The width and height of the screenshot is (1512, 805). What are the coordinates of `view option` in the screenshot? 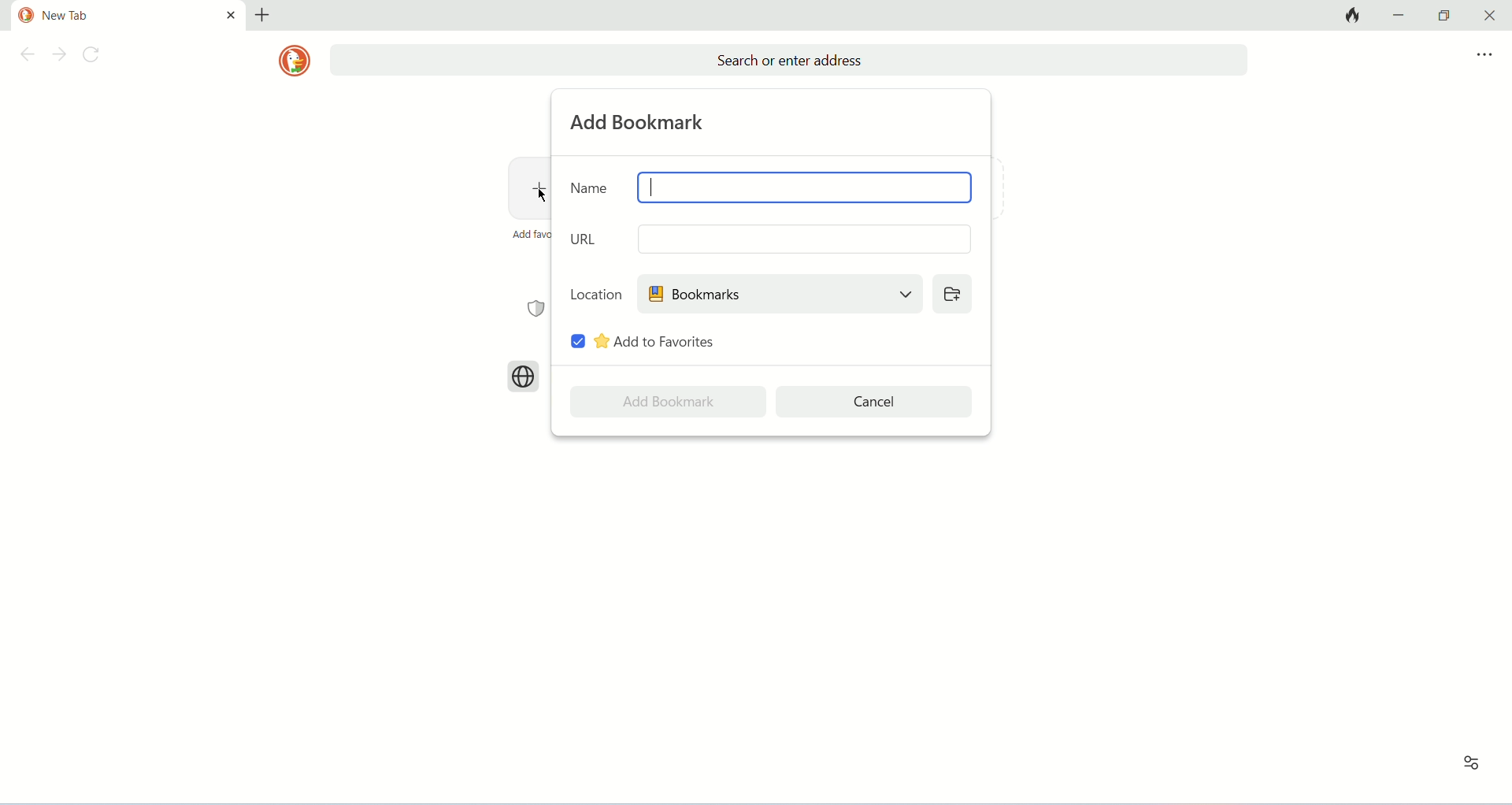 It's located at (1472, 763).